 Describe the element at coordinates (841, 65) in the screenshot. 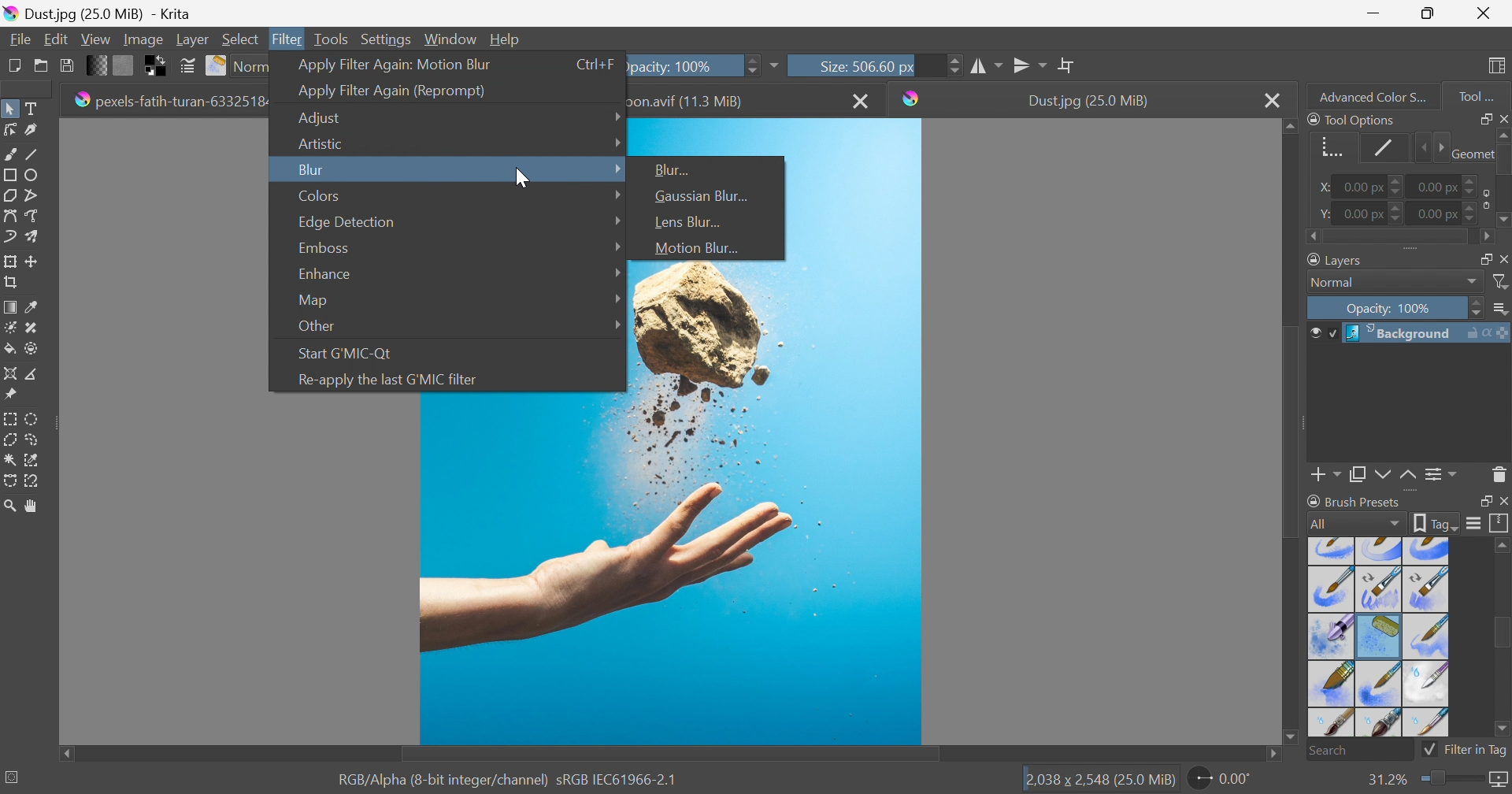

I see `Size: 506.60 px` at that location.